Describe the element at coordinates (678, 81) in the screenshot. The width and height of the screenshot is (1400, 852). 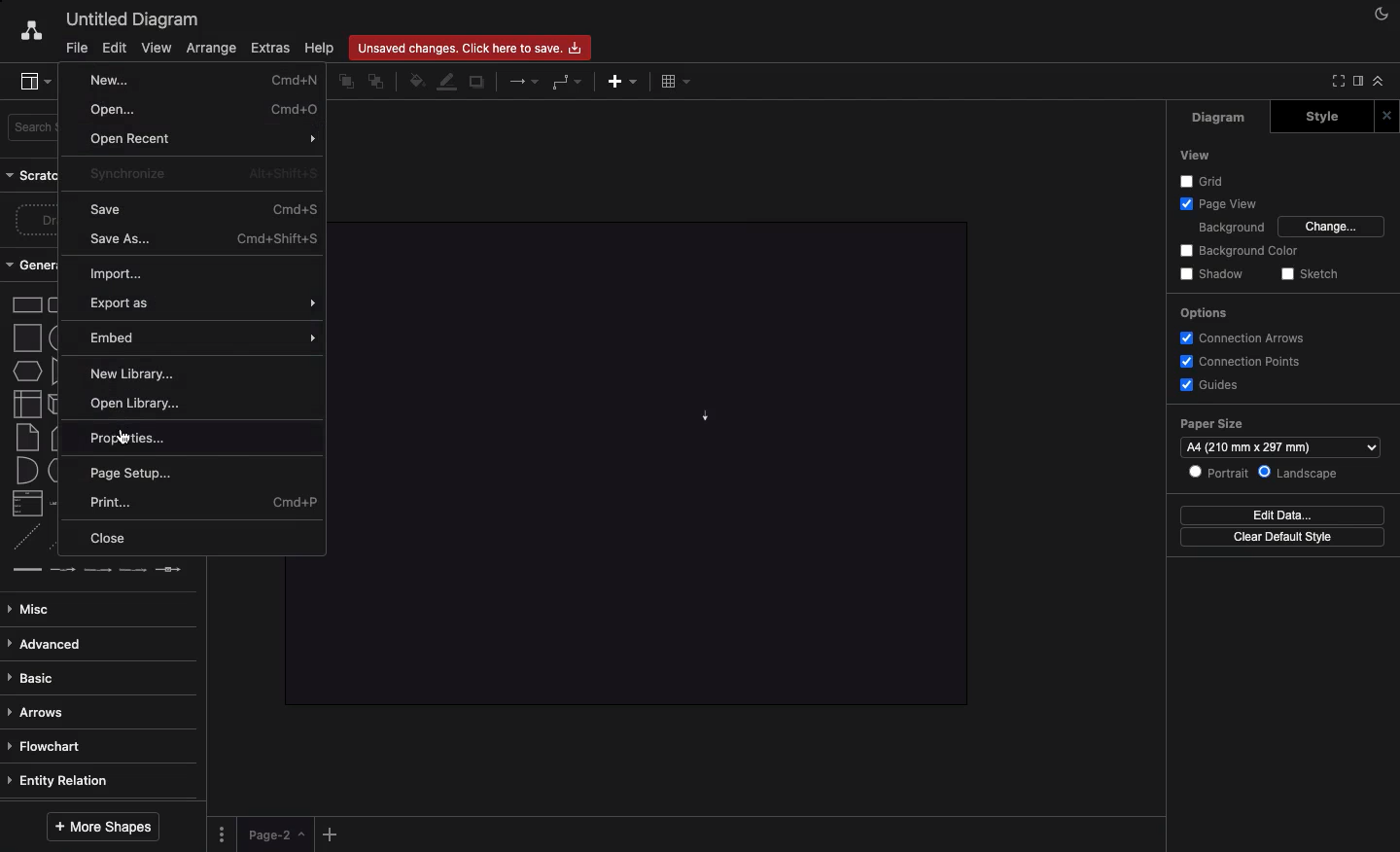
I see `Table` at that location.